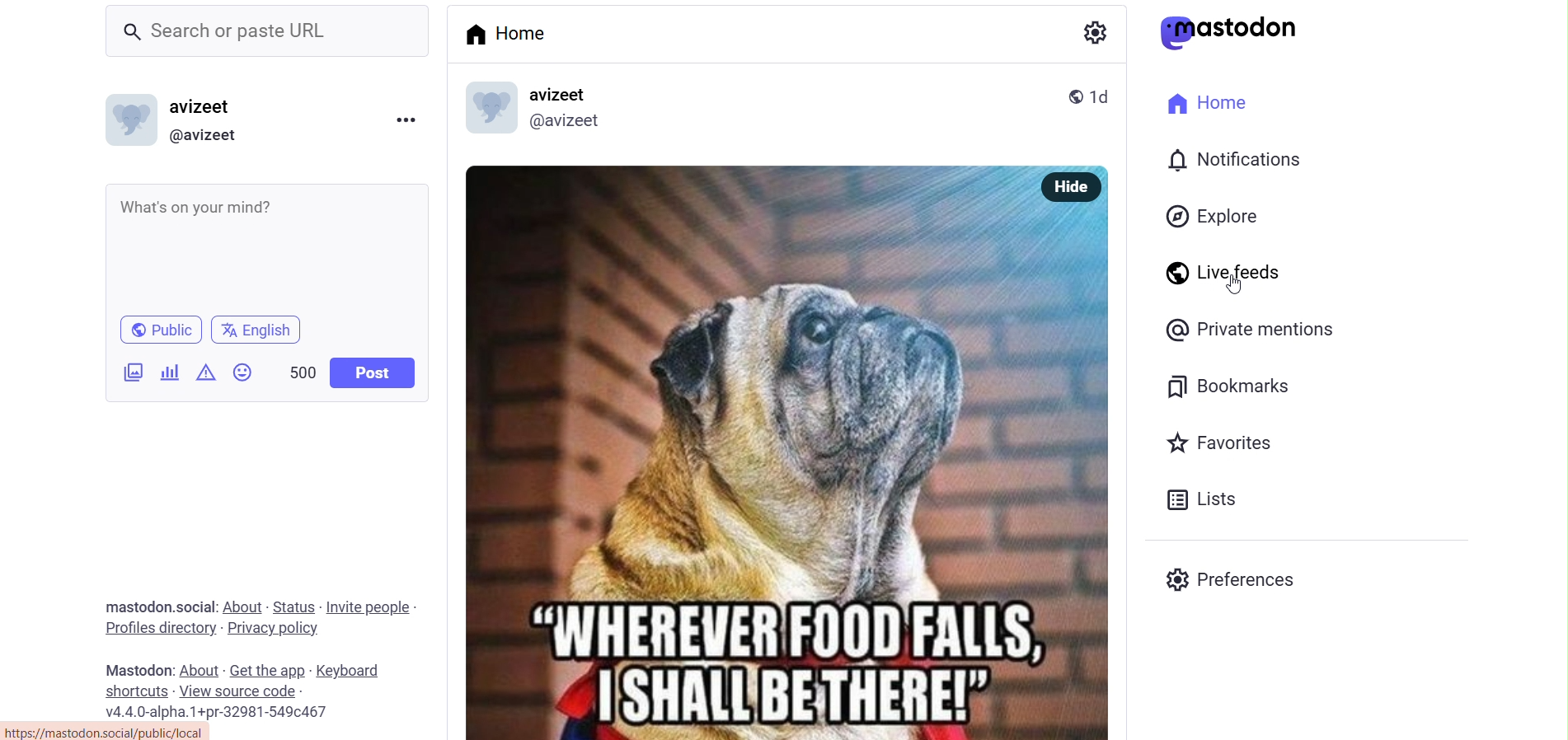  Describe the element at coordinates (199, 669) in the screenshot. I see `about` at that location.